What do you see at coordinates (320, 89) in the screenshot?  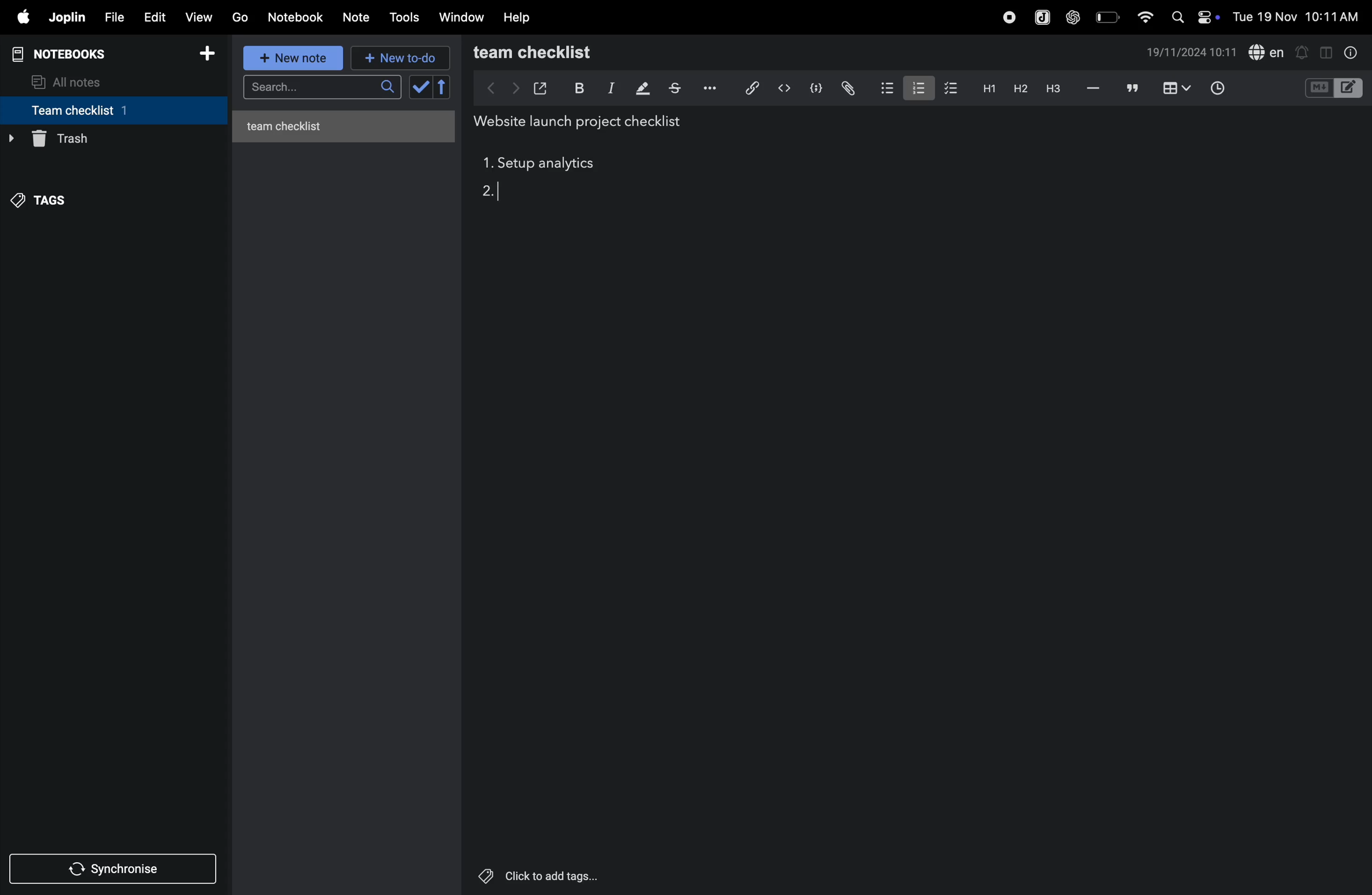 I see `search ` at bounding box center [320, 89].